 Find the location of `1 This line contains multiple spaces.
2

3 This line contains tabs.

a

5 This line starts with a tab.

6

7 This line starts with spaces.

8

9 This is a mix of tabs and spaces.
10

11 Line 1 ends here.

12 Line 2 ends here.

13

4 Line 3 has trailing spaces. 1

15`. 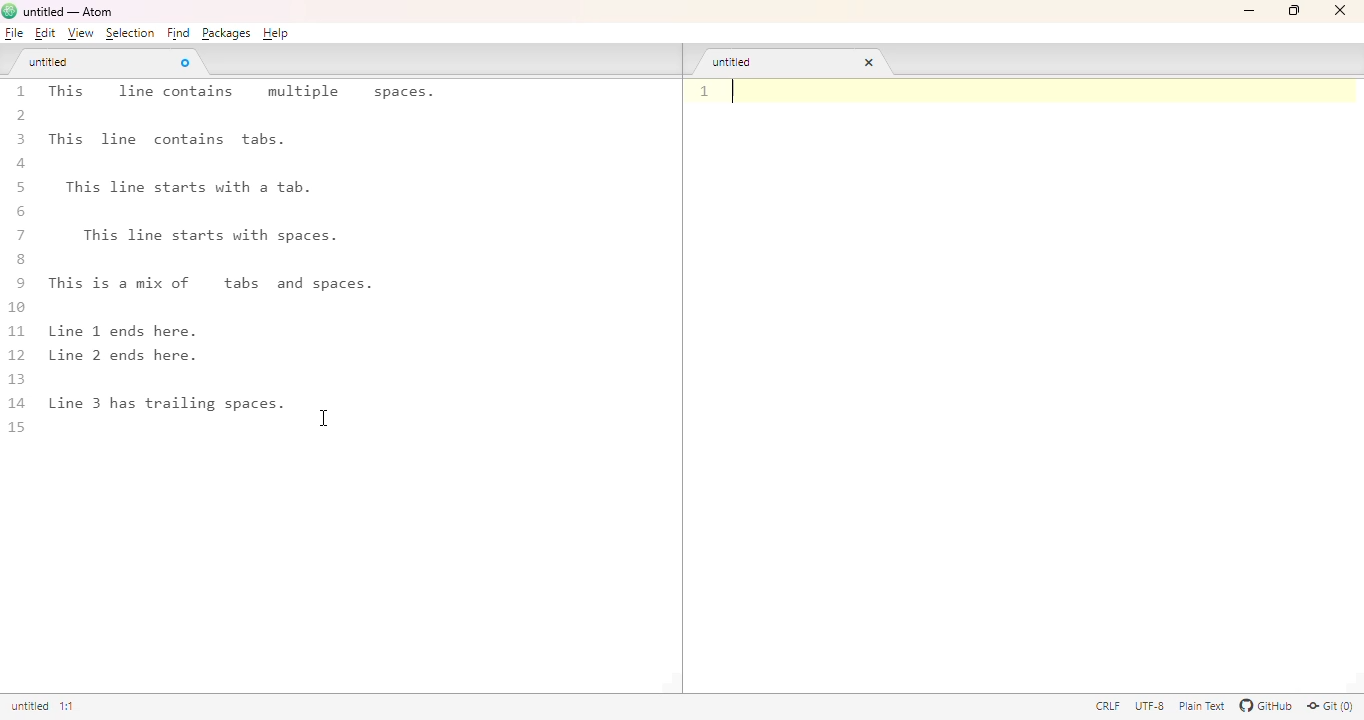

1 This line contains multiple spaces.
2

3 This line contains tabs.

a

5 This line starts with a tab.

6

7 This line starts with spaces.

8

9 This is a mix of tabs and spaces.
10

11 Line 1 ends here.

12 Line 2 ends here.

13

4 Line 3 has trailing spaces. 1

15 is located at coordinates (242, 307).